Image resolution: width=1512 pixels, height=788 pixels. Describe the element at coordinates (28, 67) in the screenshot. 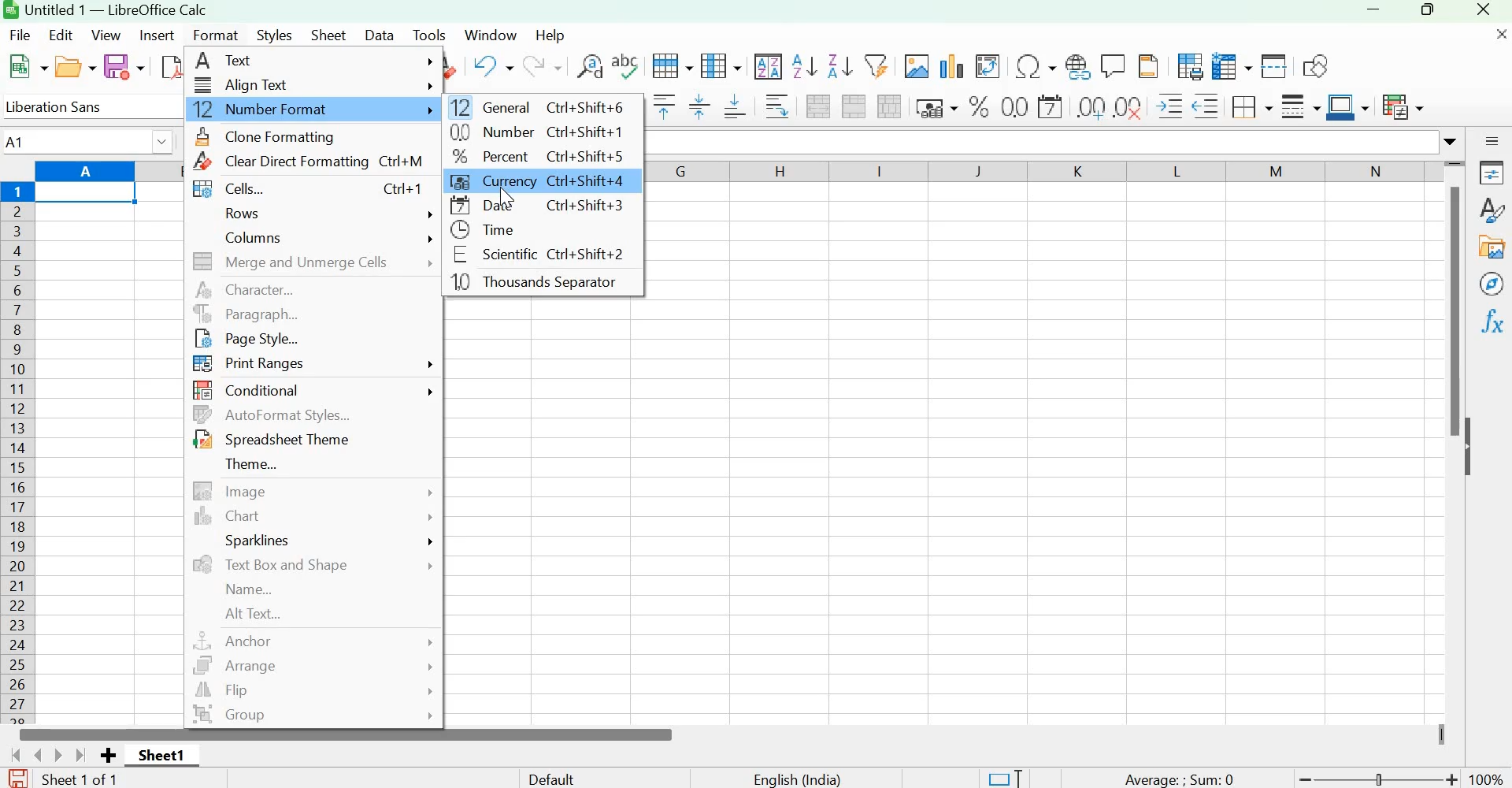

I see `New` at that location.